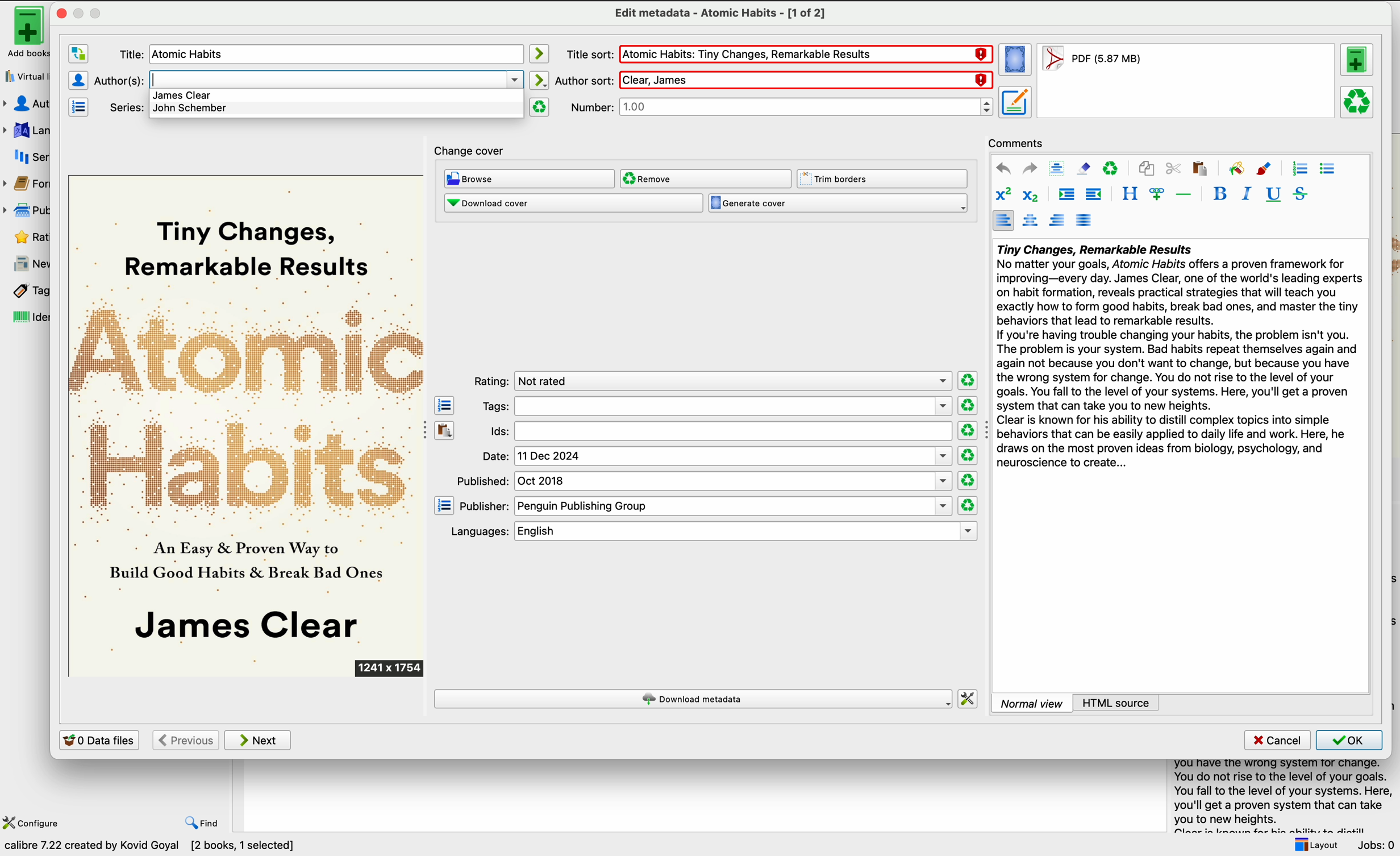  I want to click on clear rating, so click(966, 430).